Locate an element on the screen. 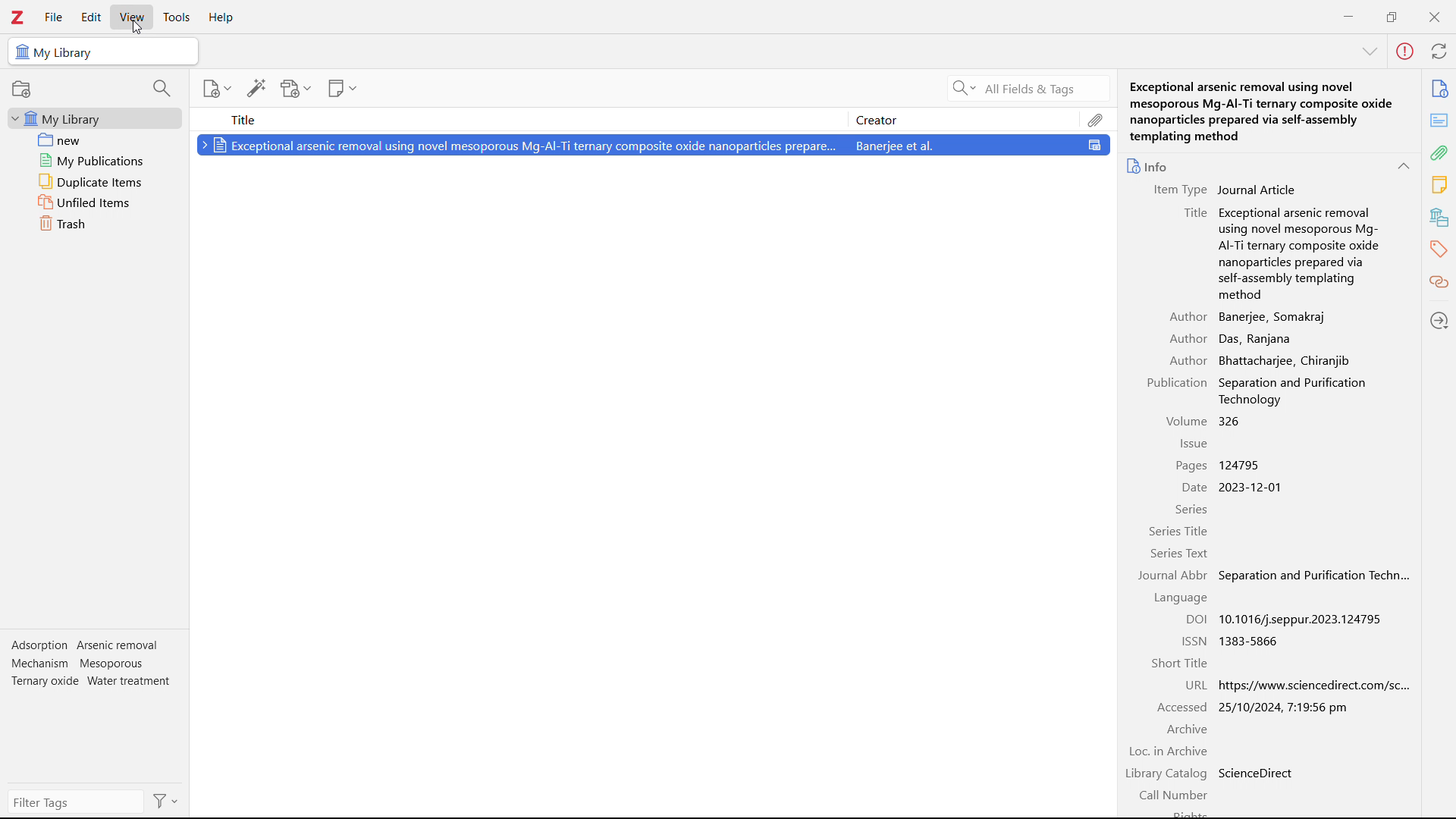  tags is located at coordinates (1439, 249).